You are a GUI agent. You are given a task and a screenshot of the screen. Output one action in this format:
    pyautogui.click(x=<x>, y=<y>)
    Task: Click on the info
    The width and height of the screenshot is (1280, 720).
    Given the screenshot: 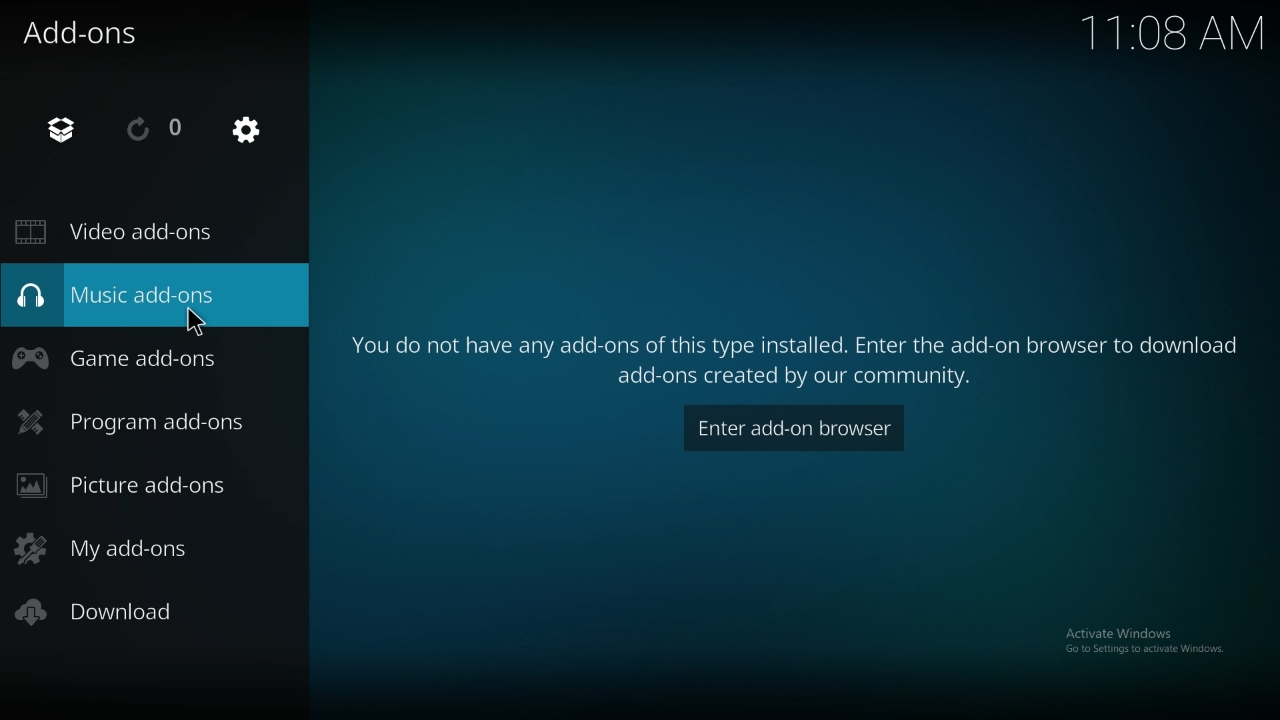 What is the action you would take?
    pyautogui.click(x=797, y=349)
    